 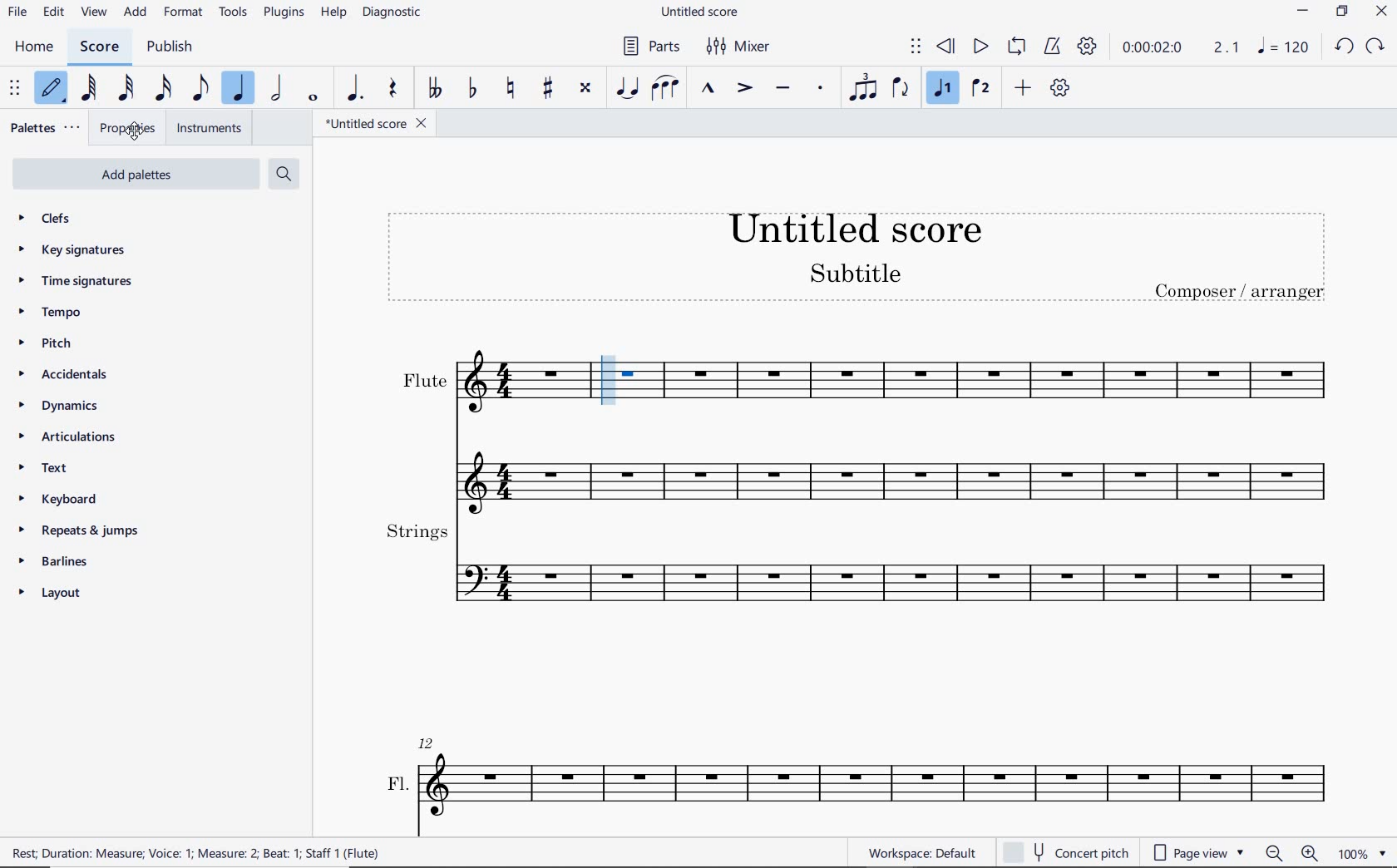 I want to click on TOGGLE DOUBLE-SHARP, so click(x=585, y=86).